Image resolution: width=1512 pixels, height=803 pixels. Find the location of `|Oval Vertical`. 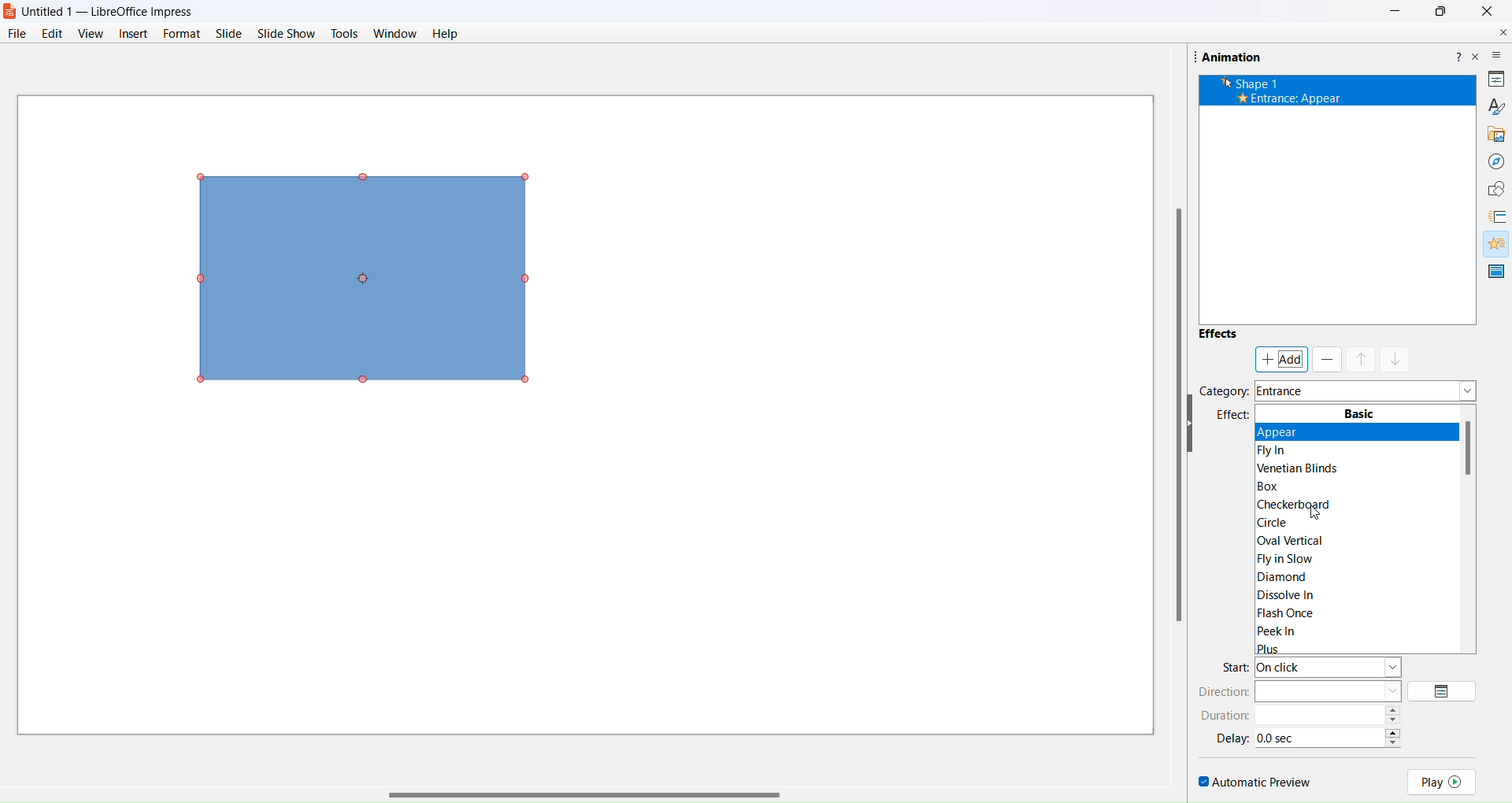

|Oval Vertical is located at coordinates (1300, 538).